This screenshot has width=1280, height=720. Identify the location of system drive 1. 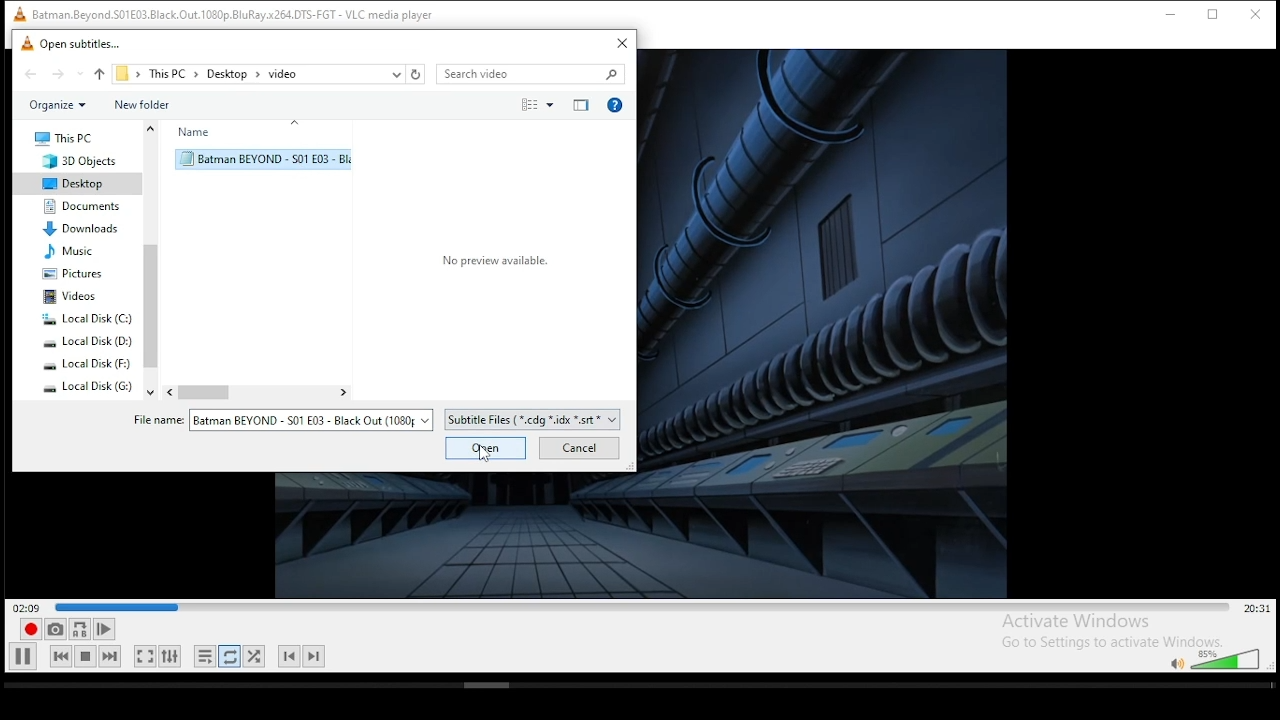
(86, 320).